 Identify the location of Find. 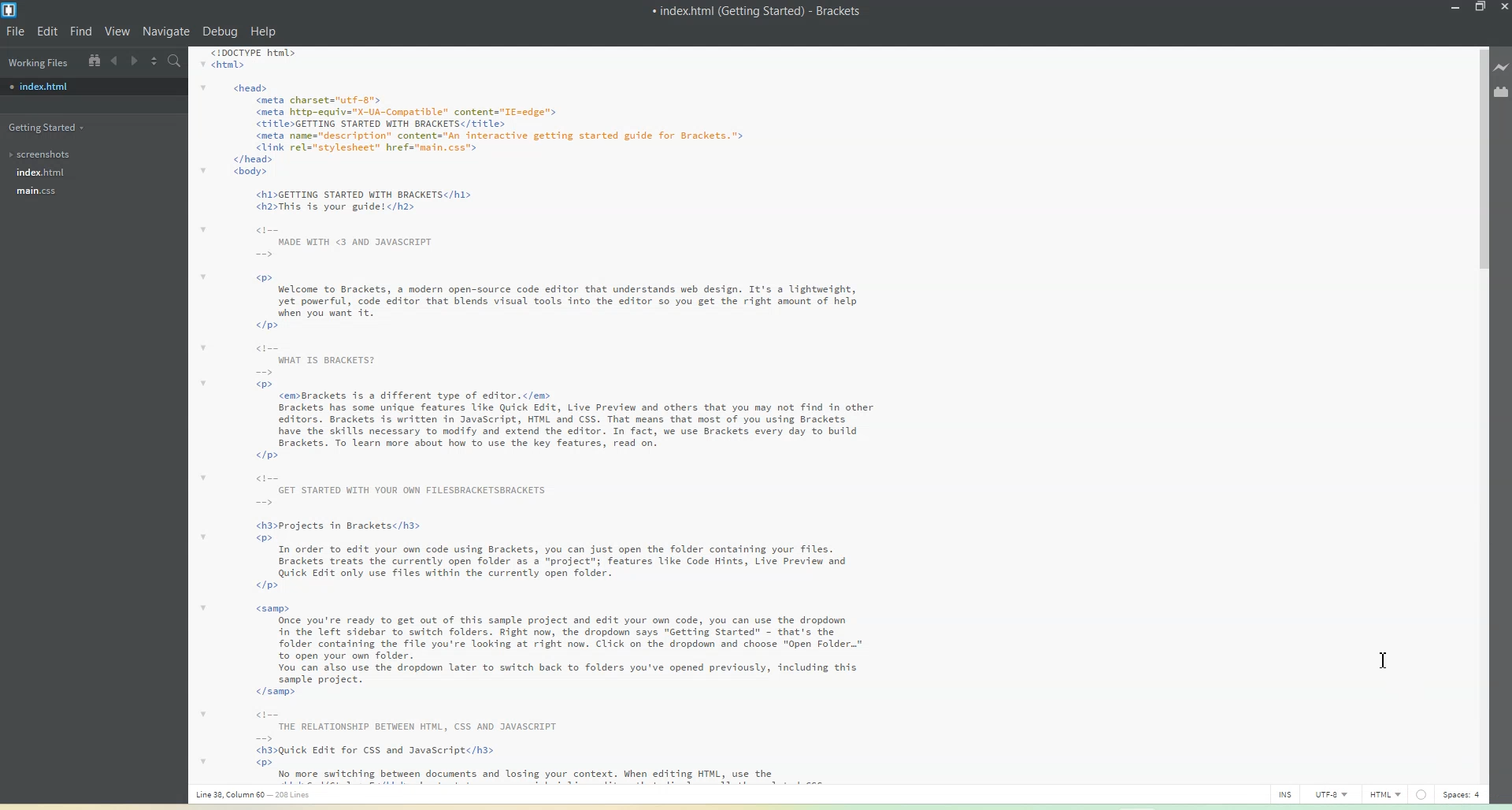
(80, 31).